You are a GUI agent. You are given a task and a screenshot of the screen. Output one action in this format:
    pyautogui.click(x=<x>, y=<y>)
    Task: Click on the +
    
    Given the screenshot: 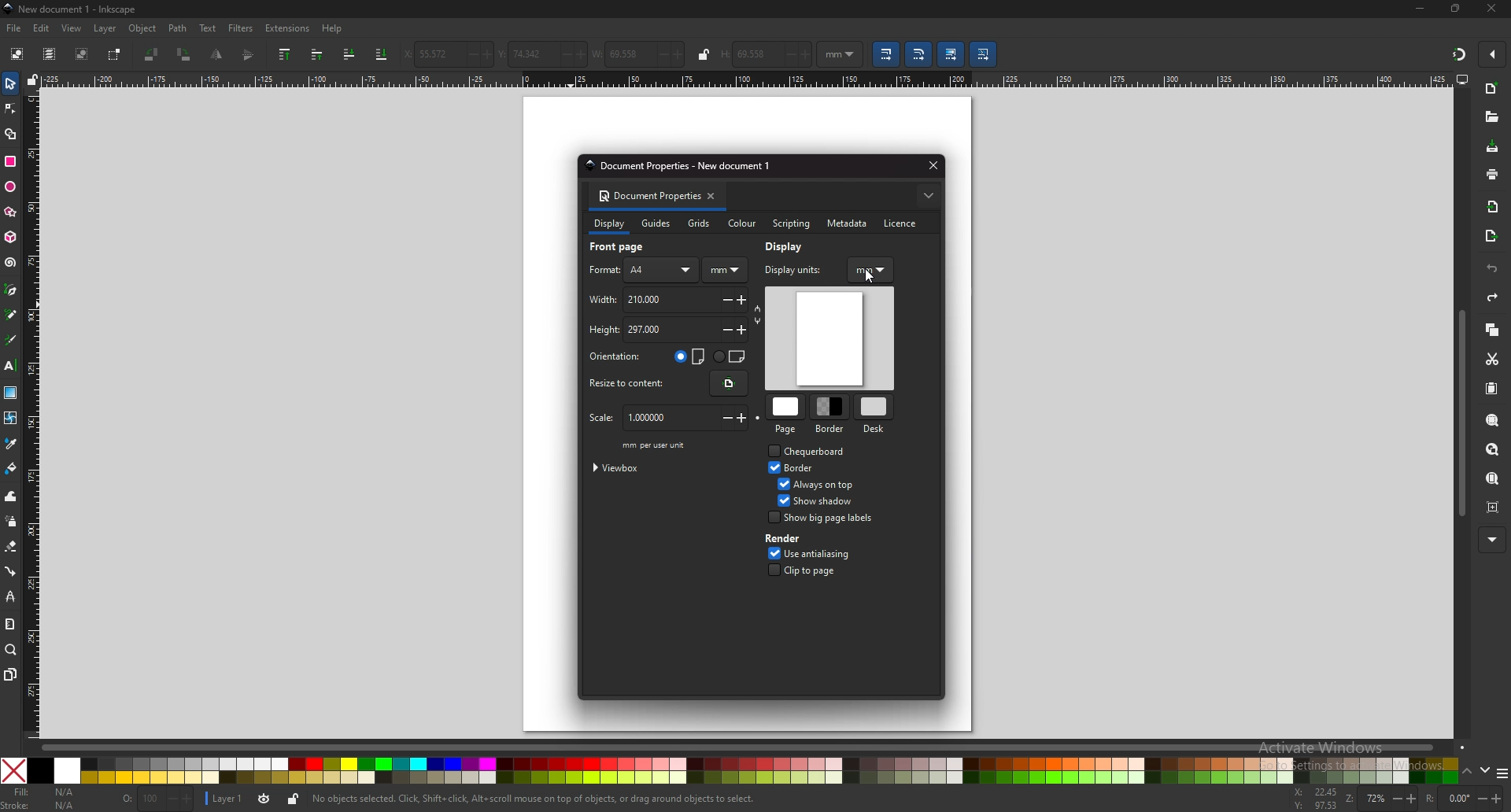 What is the action you would take?
    pyautogui.click(x=680, y=56)
    